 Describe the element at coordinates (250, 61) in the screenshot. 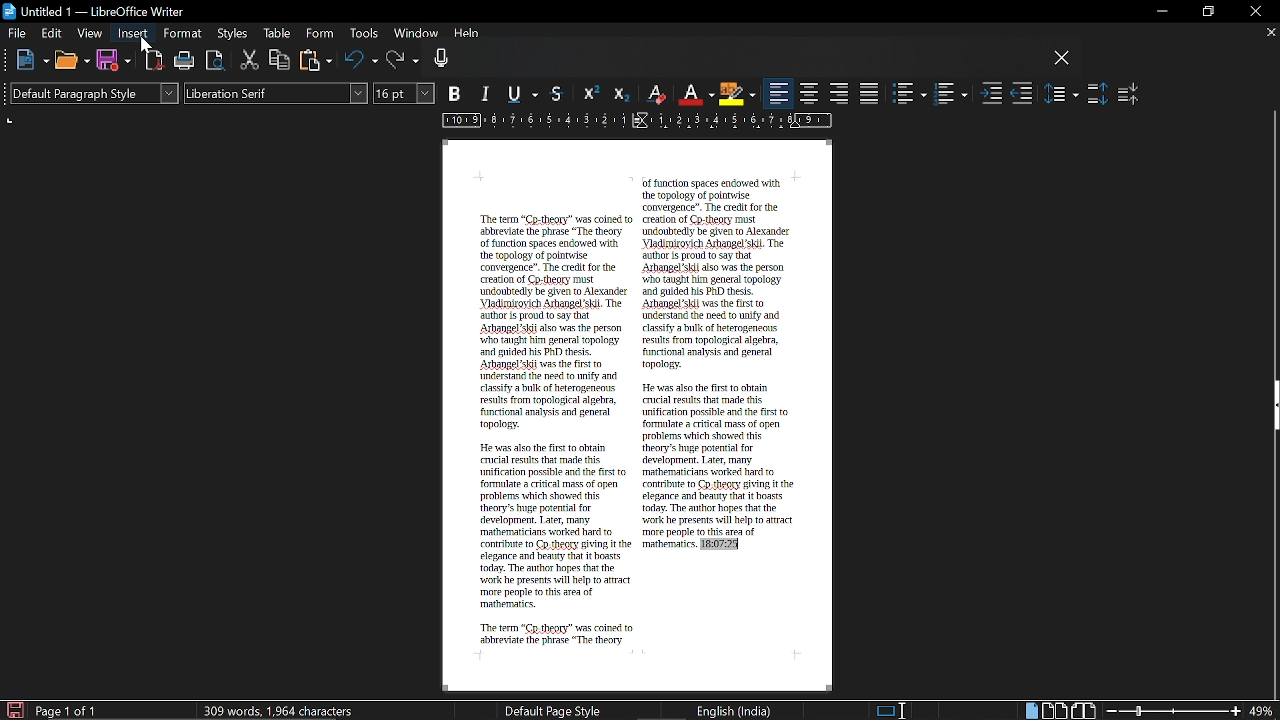

I see `Cut` at that location.